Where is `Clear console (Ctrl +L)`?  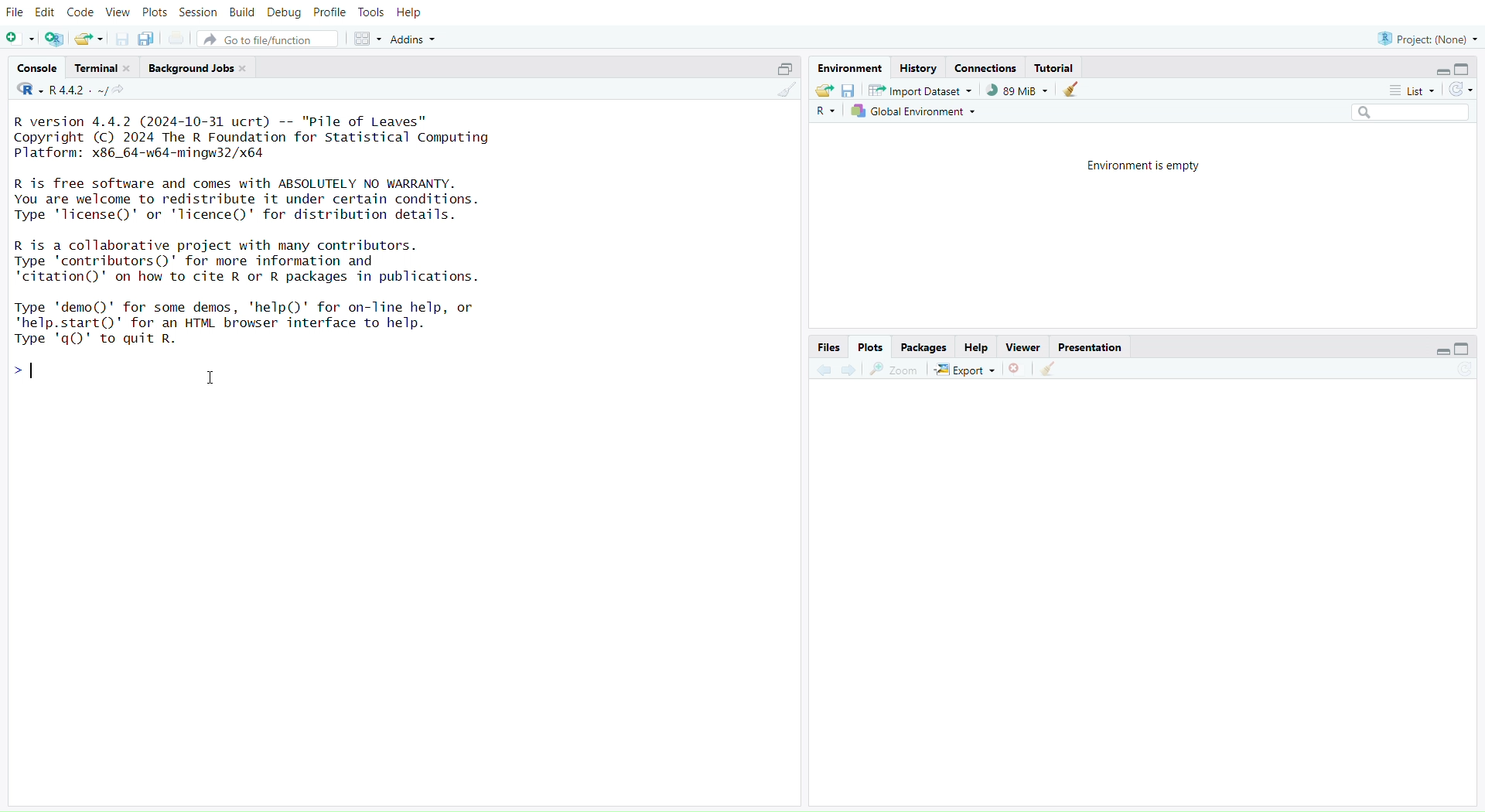 Clear console (Ctrl +L) is located at coordinates (783, 92).